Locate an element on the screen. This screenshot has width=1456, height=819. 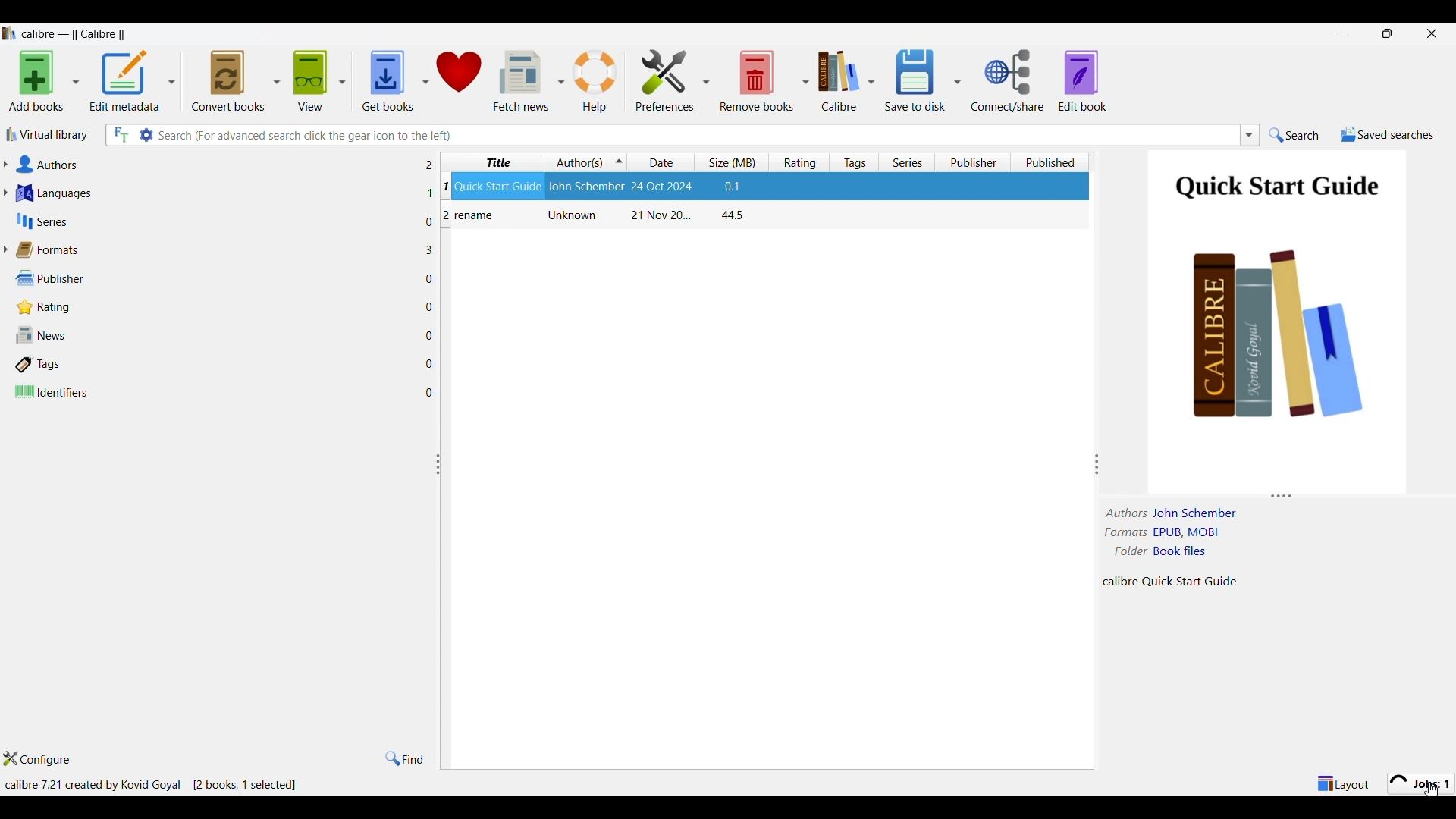
Book: rename is located at coordinates (597, 217).